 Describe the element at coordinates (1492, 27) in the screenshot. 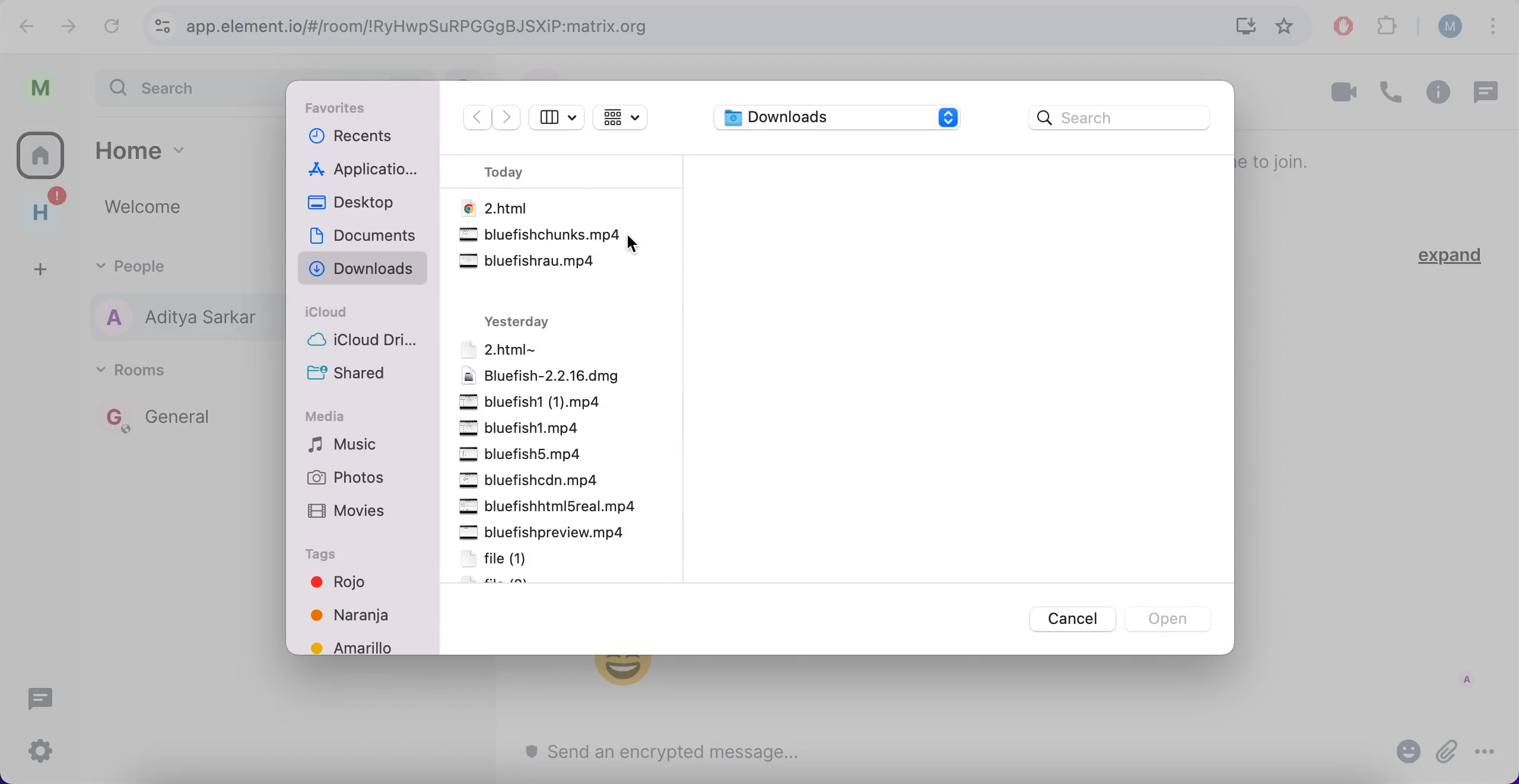

I see `options` at that location.